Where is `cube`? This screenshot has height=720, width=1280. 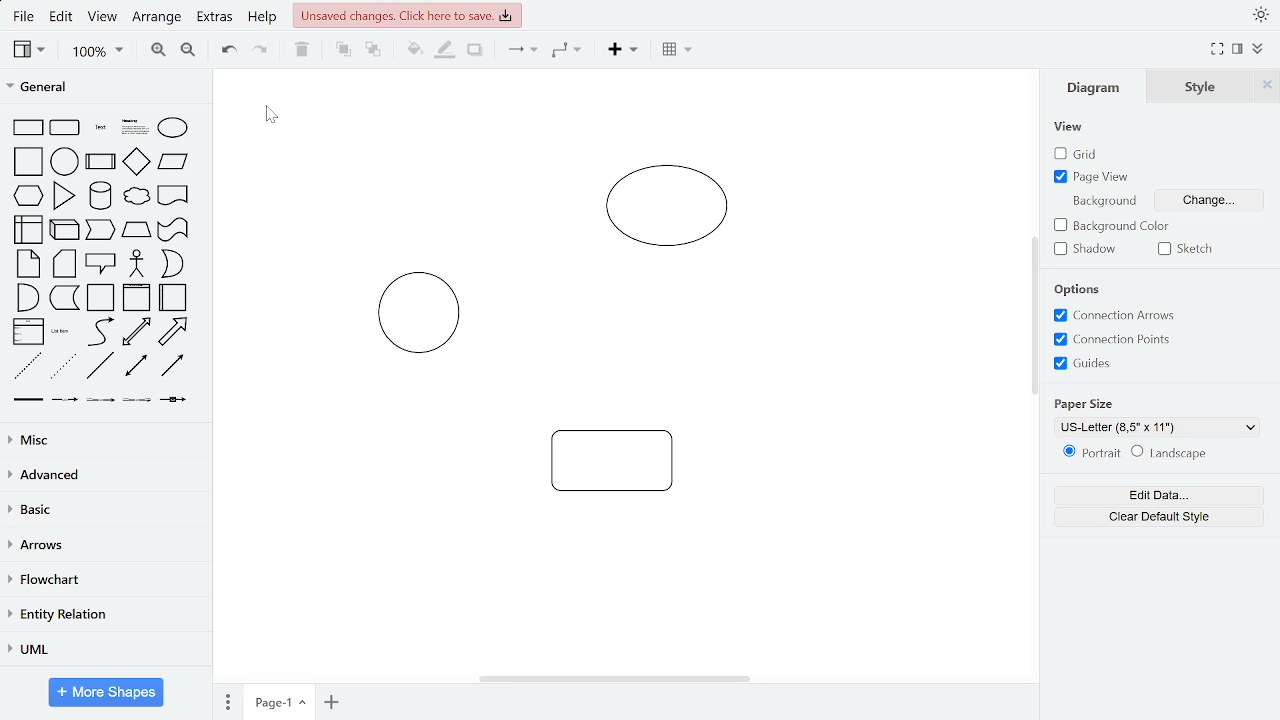 cube is located at coordinates (66, 229).